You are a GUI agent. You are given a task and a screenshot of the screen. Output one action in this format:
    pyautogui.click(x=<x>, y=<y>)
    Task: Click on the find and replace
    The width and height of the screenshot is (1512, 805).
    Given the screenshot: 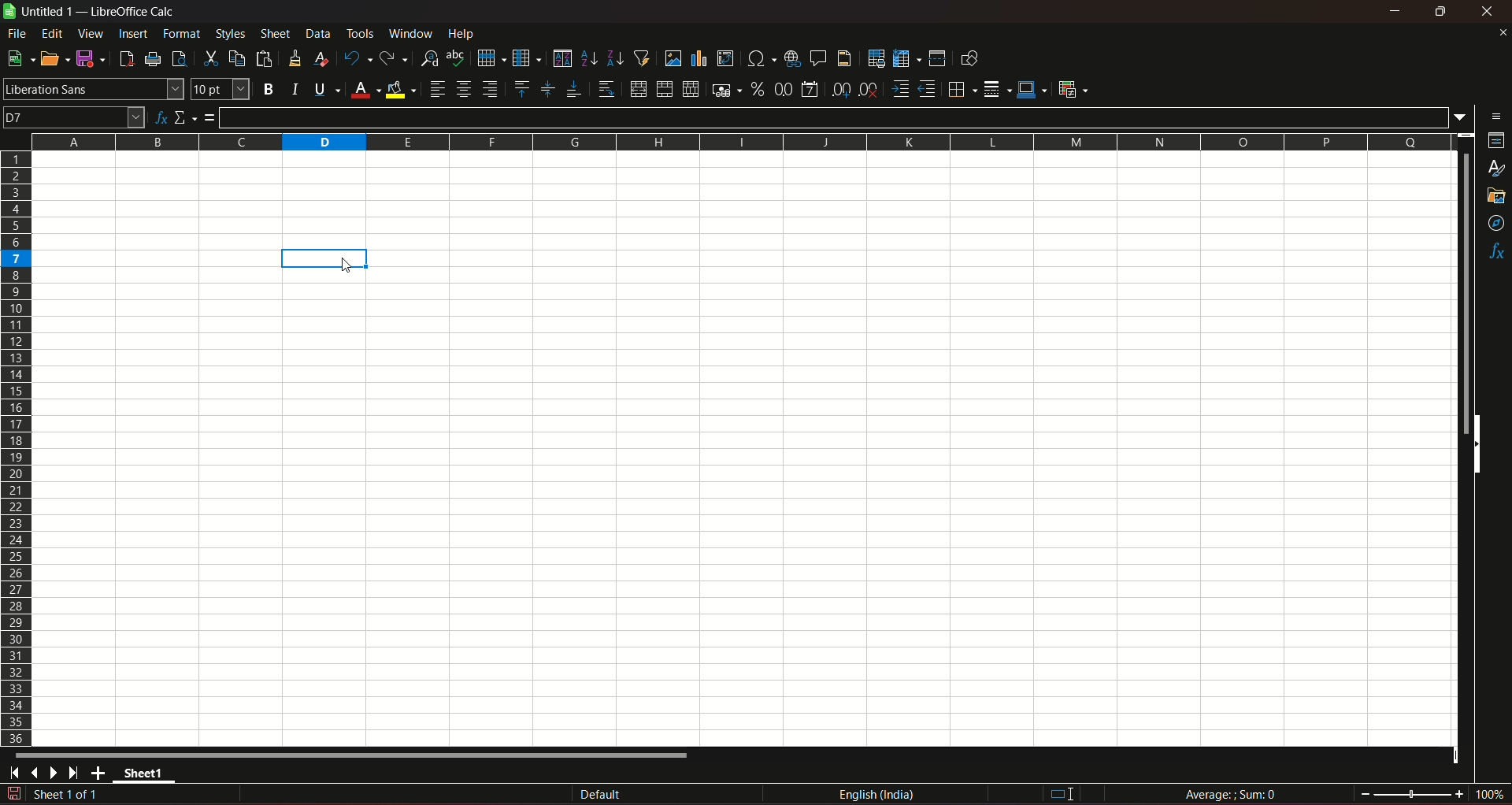 What is the action you would take?
    pyautogui.click(x=428, y=57)
    